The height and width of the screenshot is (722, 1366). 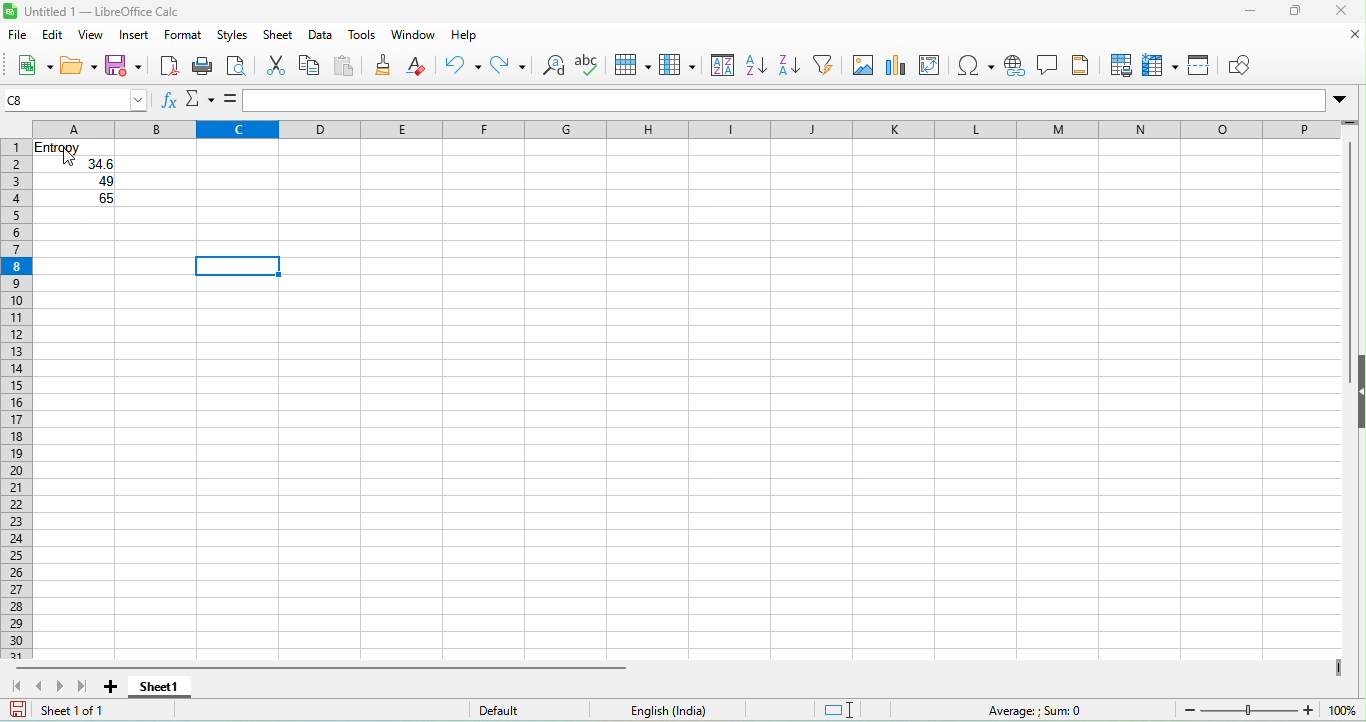 What do you see at coordinates (135, 37) in the screenshot?
I see `insert` at bounding box center [135, 37].